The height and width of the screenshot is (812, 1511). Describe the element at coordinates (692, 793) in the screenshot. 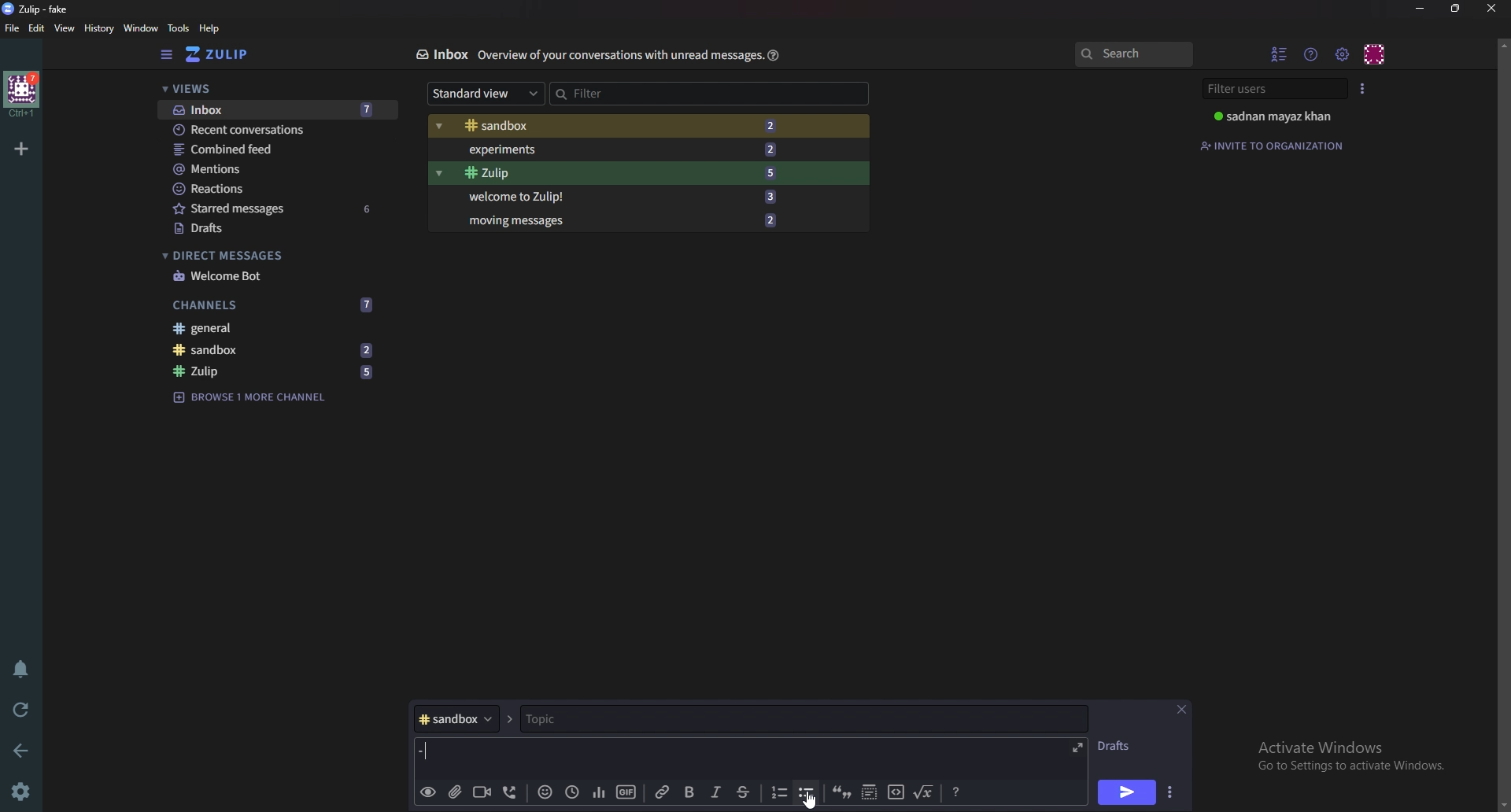

I see `bold` at that location.